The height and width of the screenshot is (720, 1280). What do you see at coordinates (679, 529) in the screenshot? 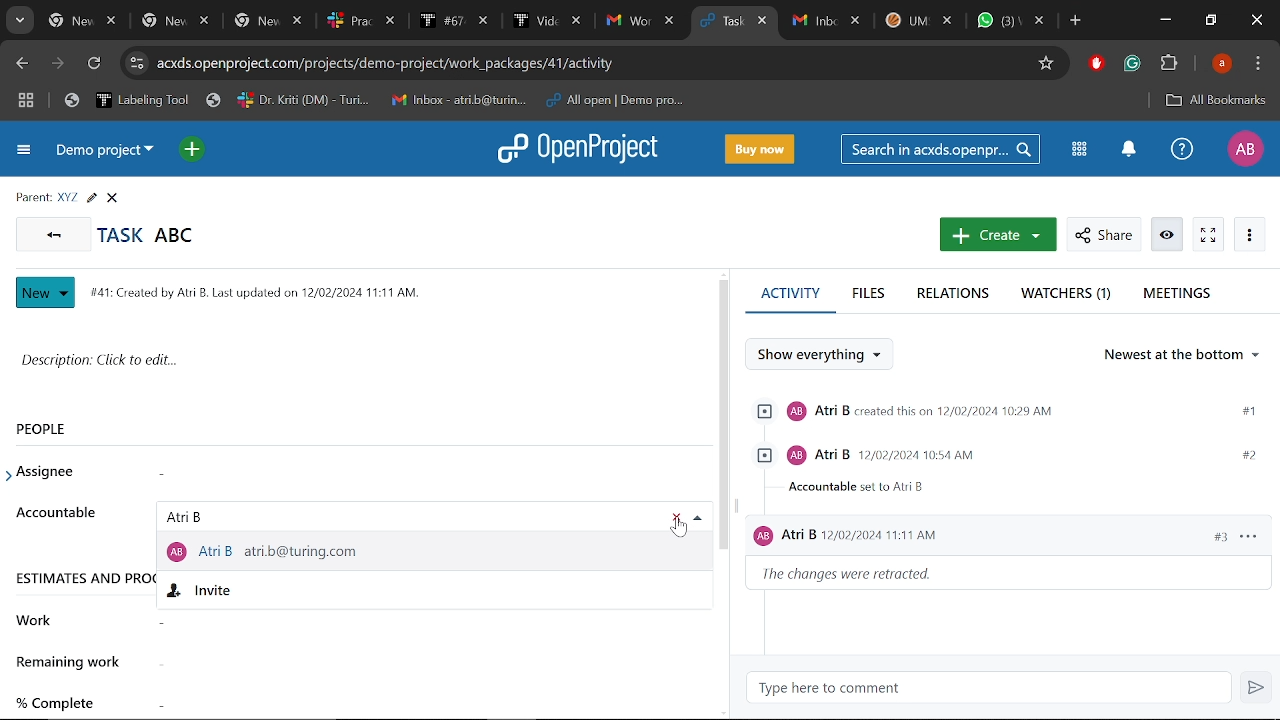
I see `cursor` at bounding box center [679, 529].